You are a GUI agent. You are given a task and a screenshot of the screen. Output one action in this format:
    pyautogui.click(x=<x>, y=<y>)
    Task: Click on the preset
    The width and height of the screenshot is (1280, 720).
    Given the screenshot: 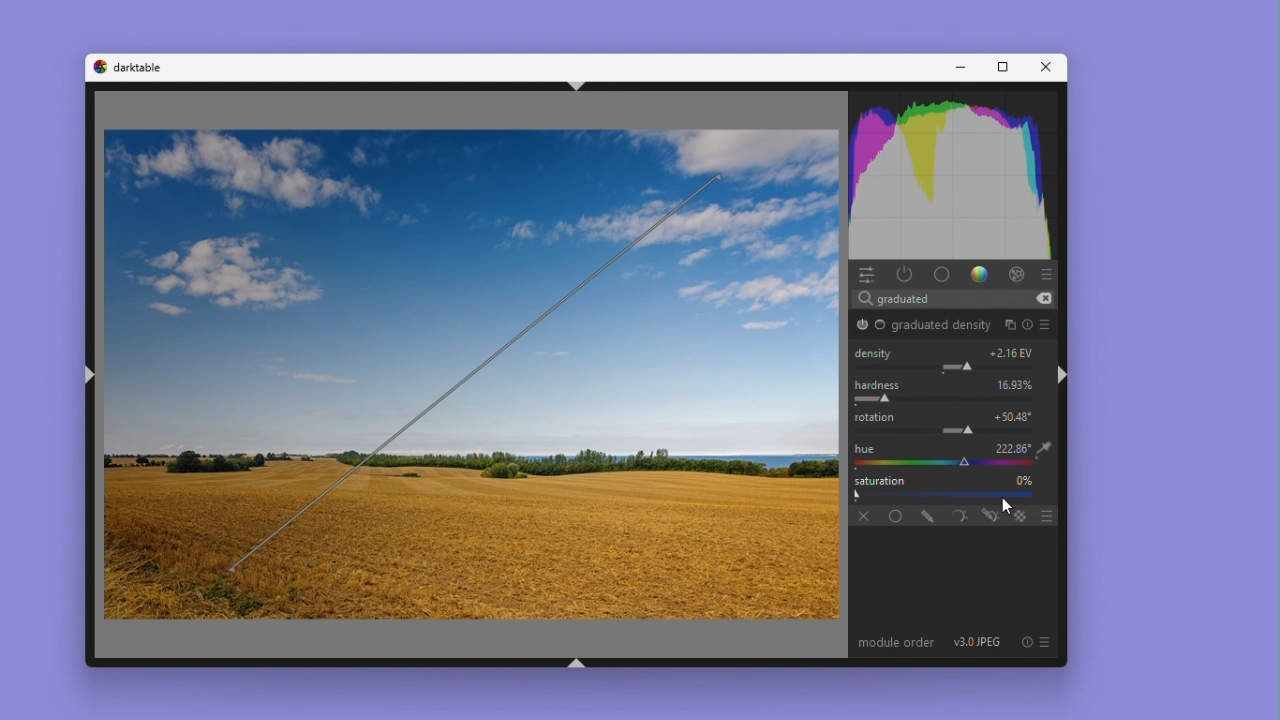 What is the action you would take?
    pyautogui.click(x=1048, y=324)
    